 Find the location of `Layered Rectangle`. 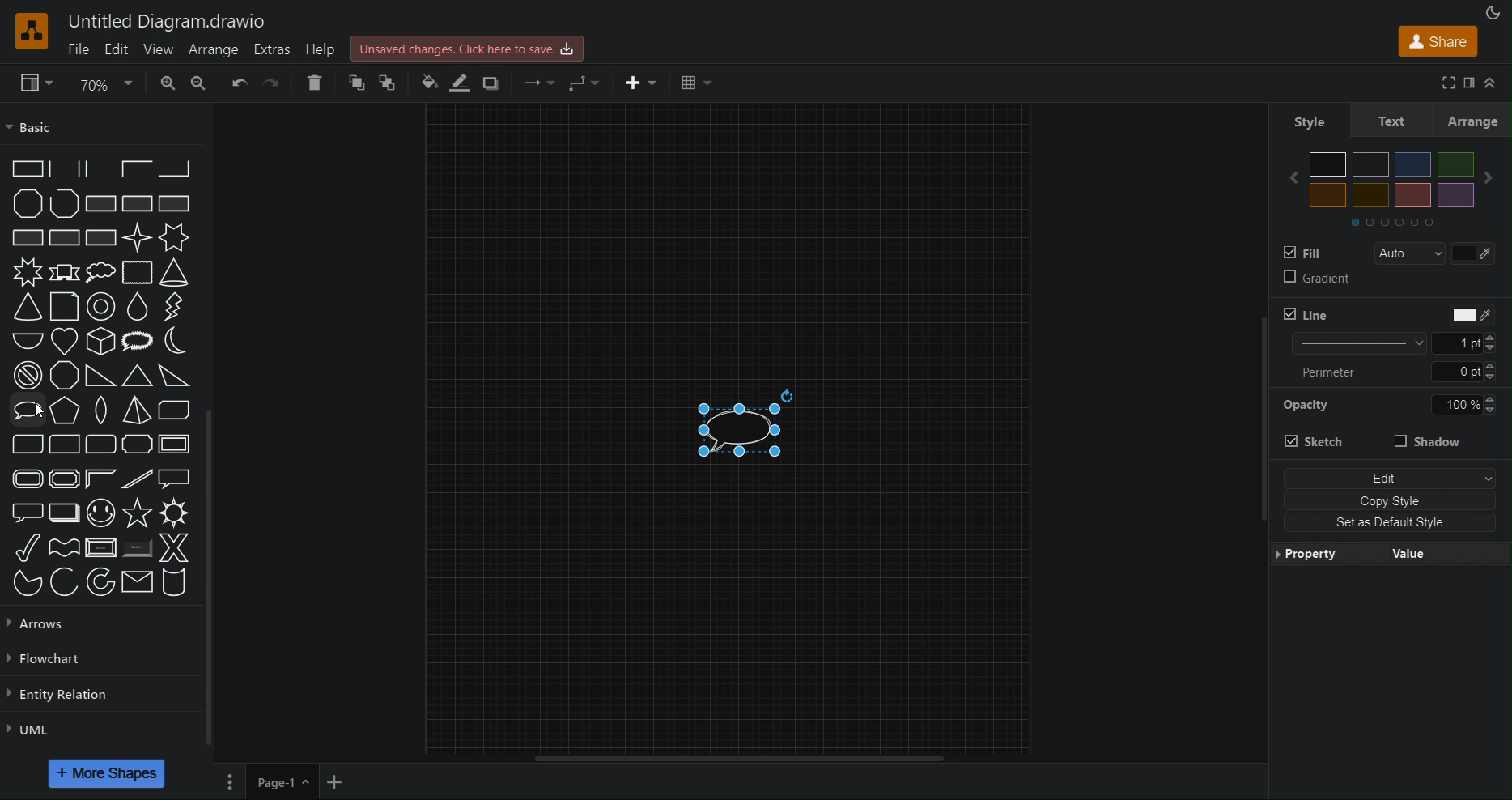

Layered Rectangle is located at coordinates (63, 512).